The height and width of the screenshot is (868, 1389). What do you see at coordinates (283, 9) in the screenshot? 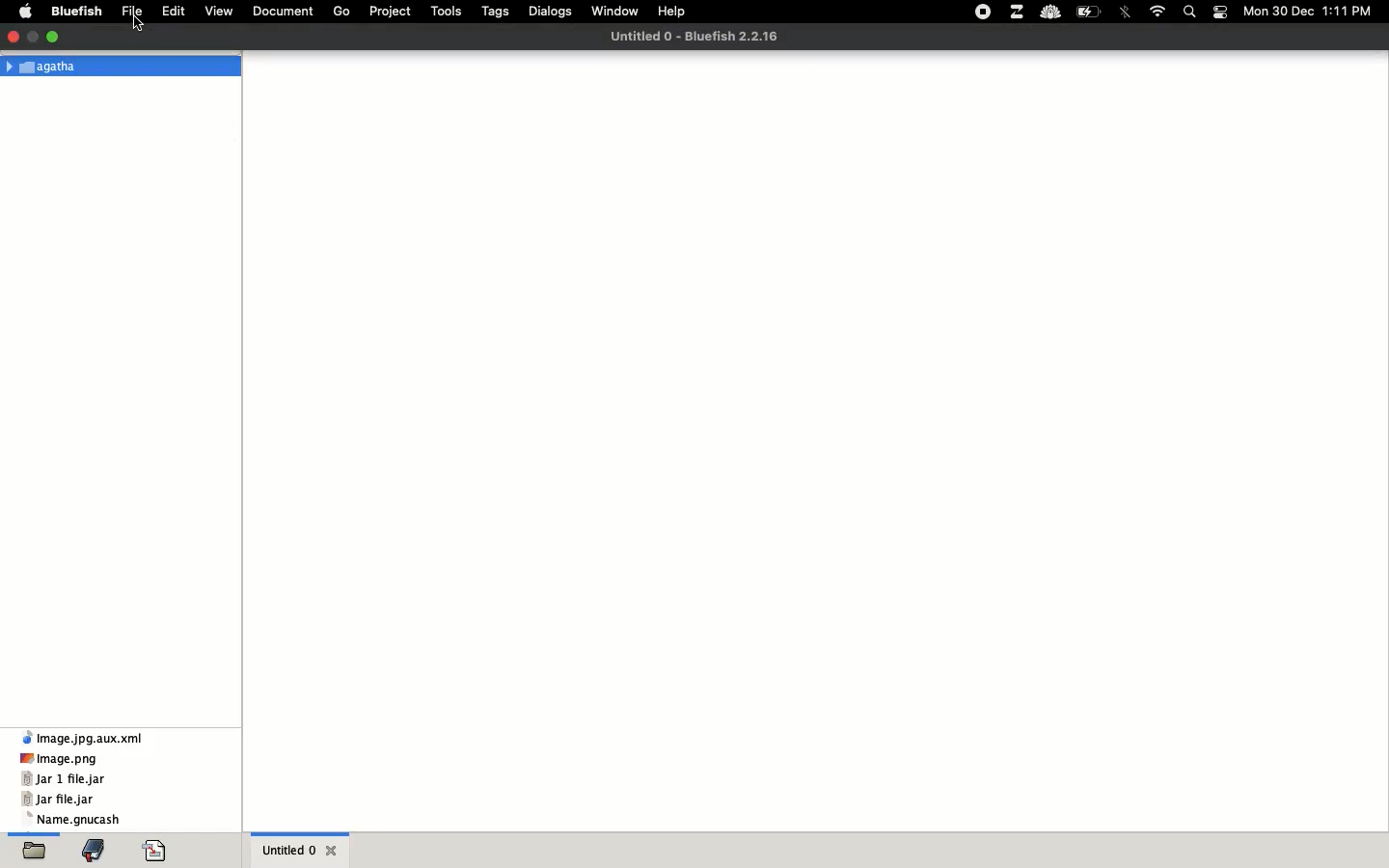
I see `document` at bounding box center [283, 9].